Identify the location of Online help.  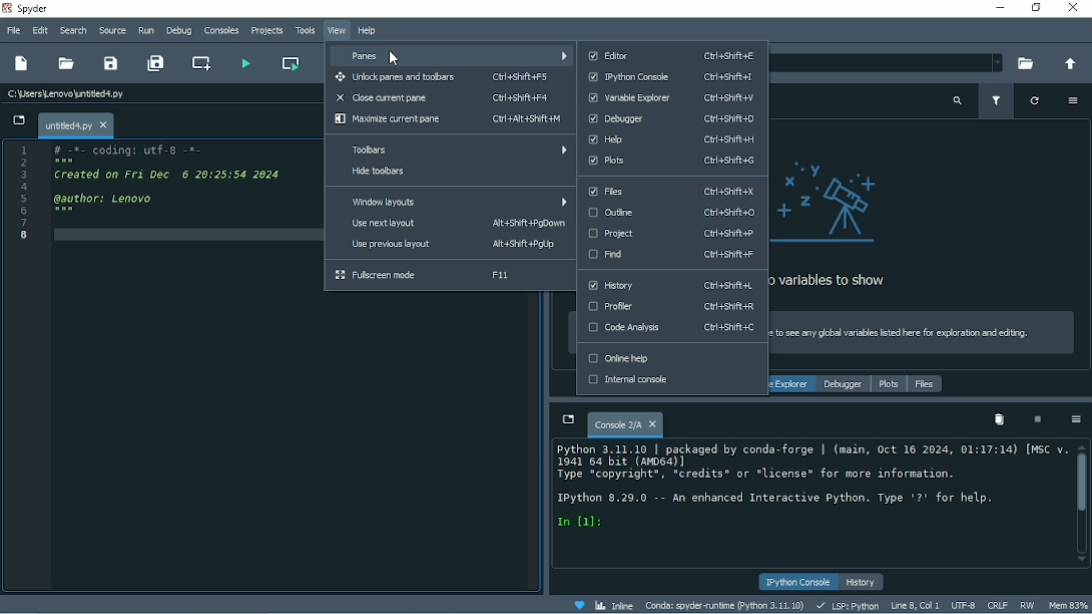
(671, 359).